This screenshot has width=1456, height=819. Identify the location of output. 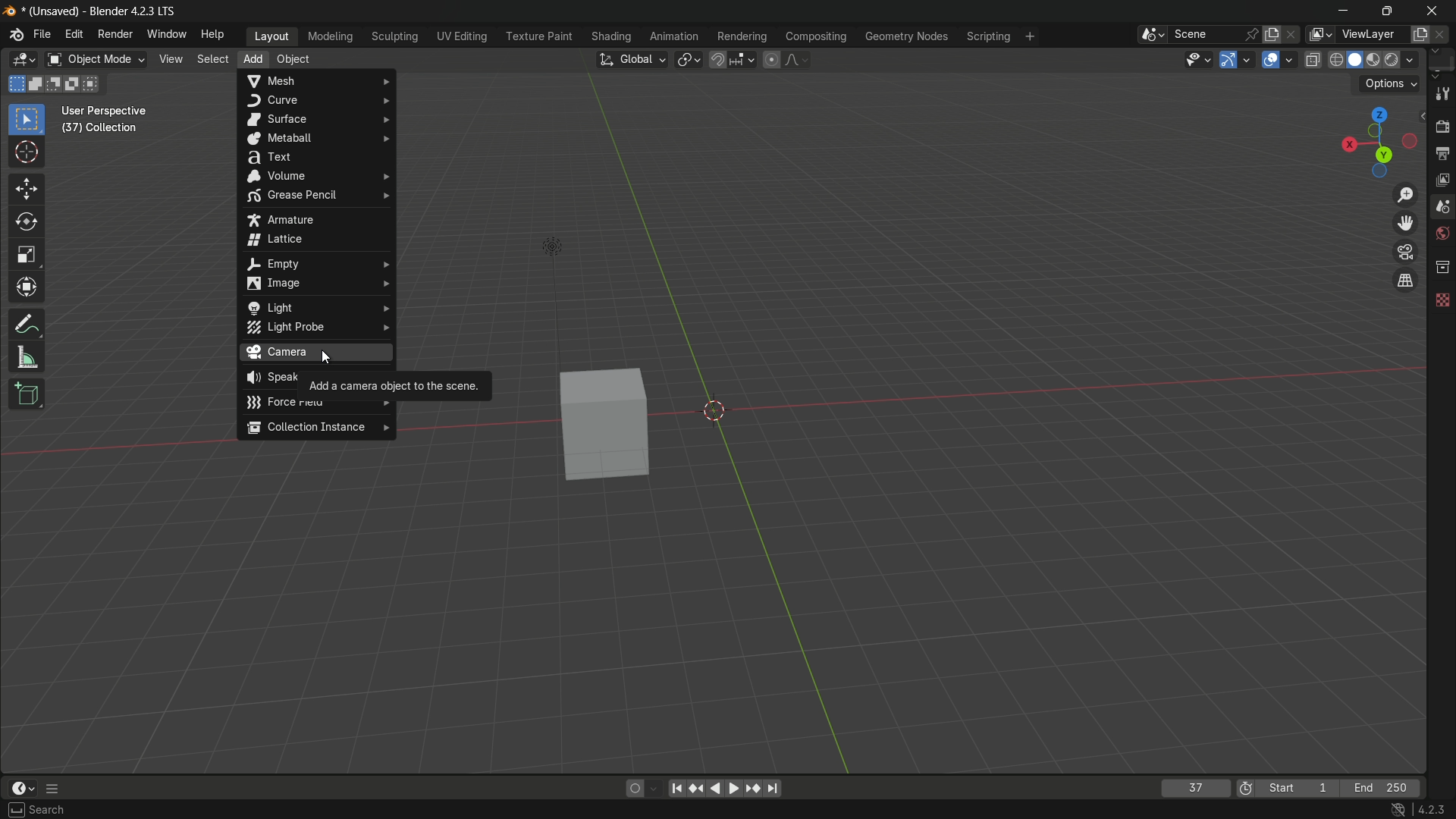
(1441, 152).